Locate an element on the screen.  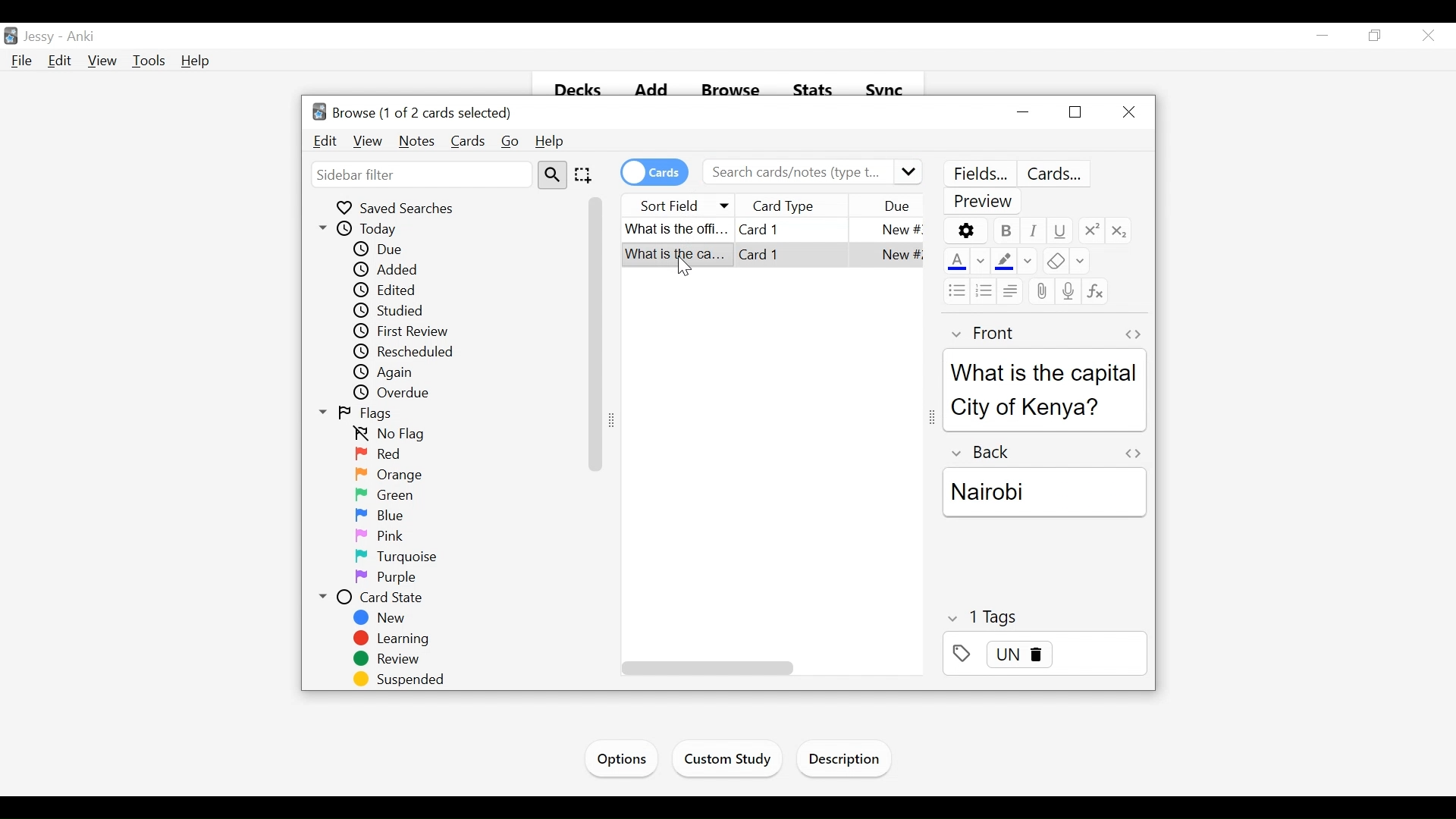
Card is located at coordinates (770, 229).